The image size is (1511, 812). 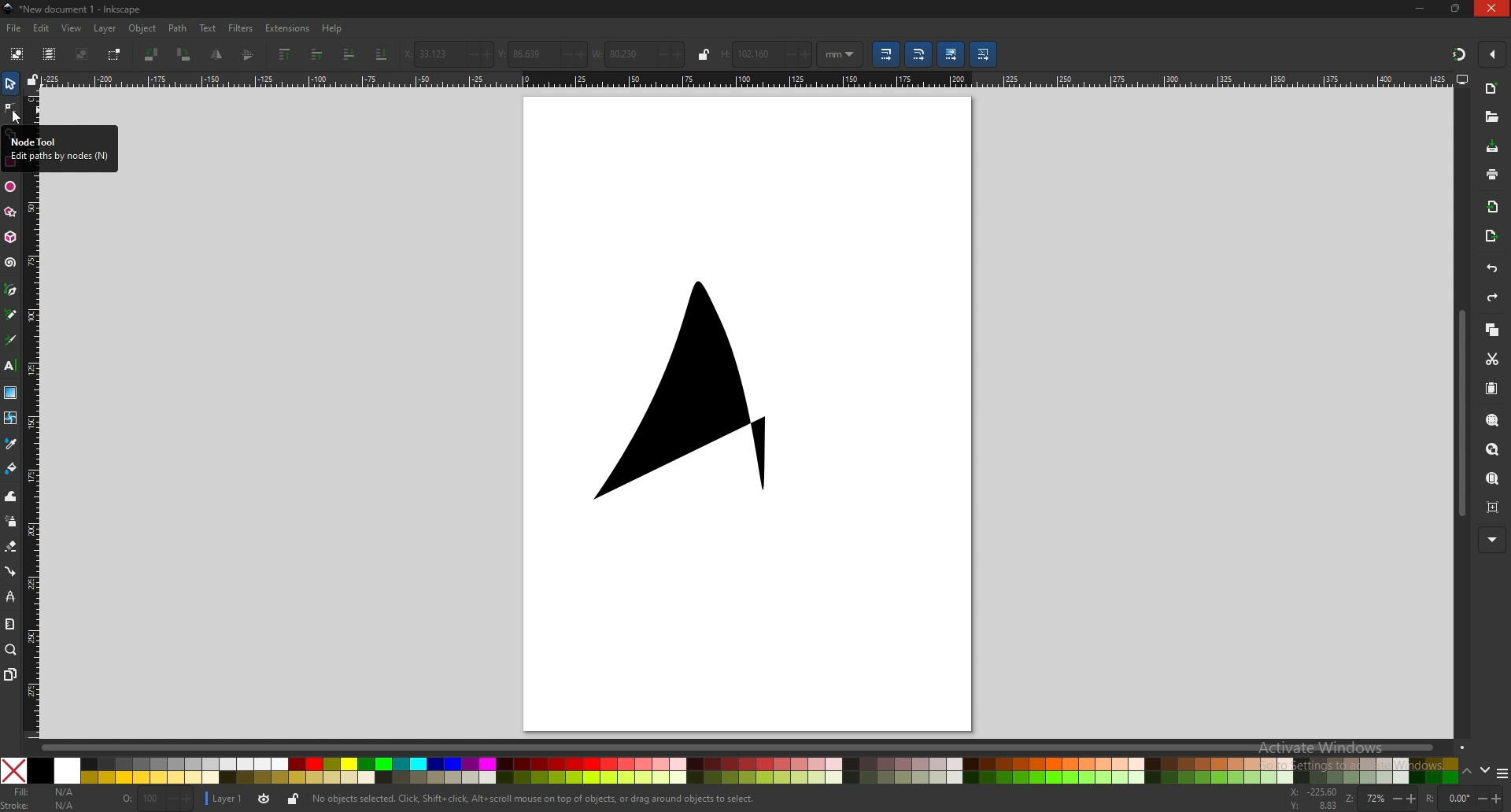 What do you see at coordinates (1491, 479) in the screenshot?
I see `zoom page` at bounding box center [1491, 479].